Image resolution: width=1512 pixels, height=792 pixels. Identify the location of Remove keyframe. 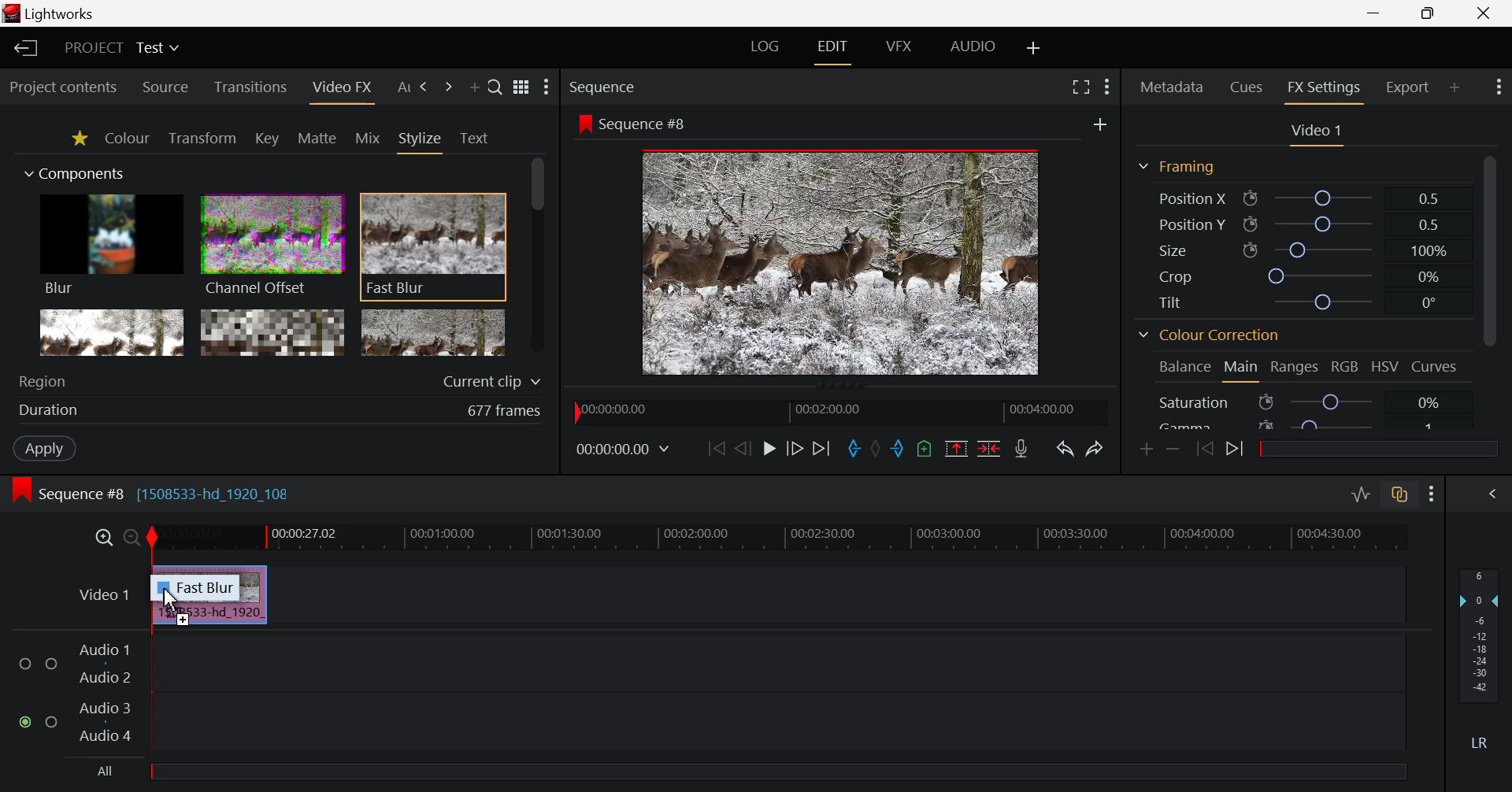
(1173, 452).